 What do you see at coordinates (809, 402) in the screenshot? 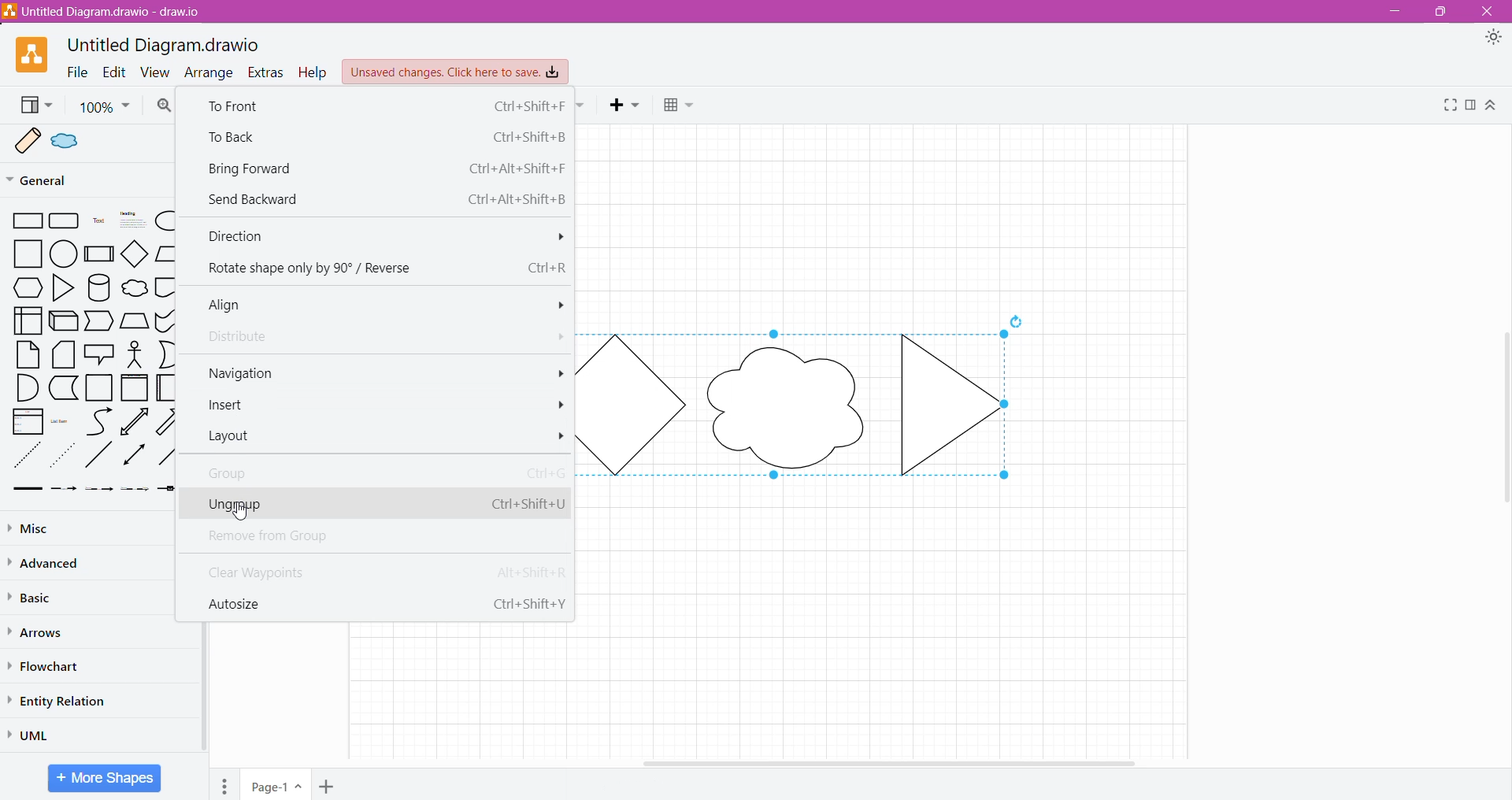
I see `Shape` at bounding box center [809, 402].